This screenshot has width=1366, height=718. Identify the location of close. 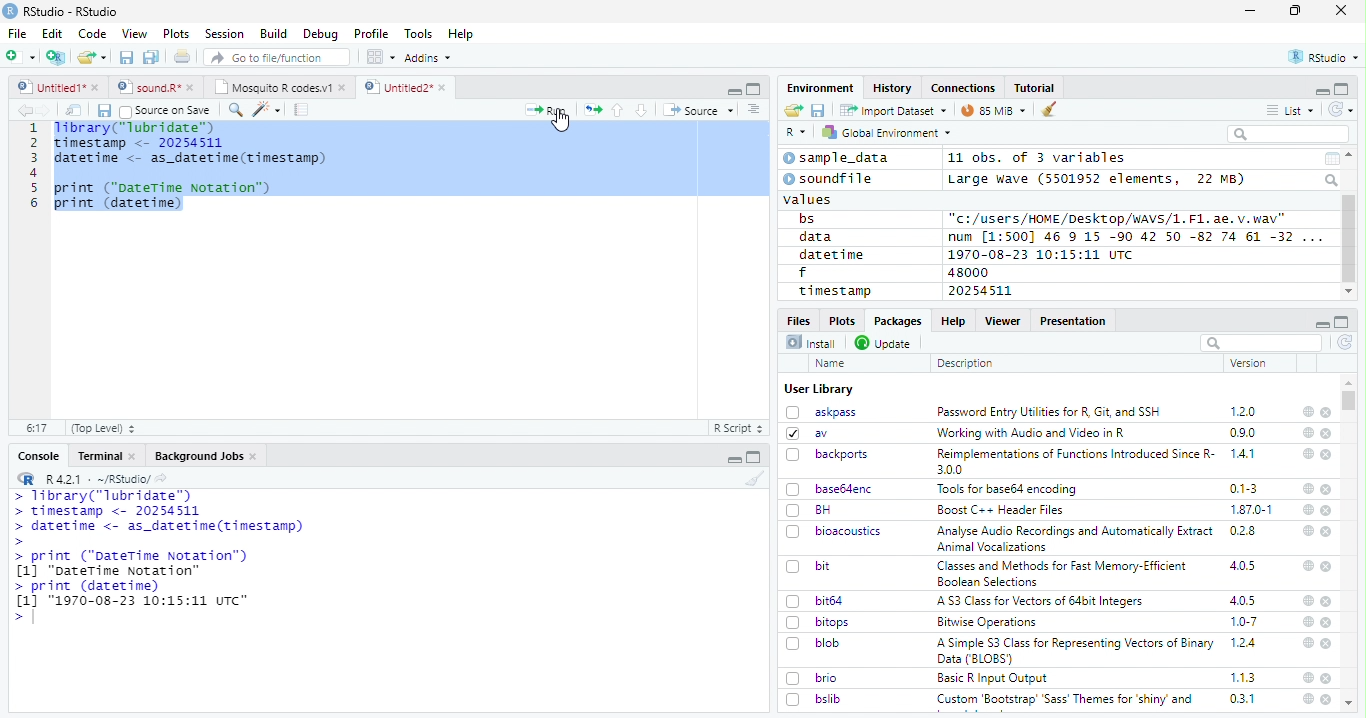
(1327, 678).